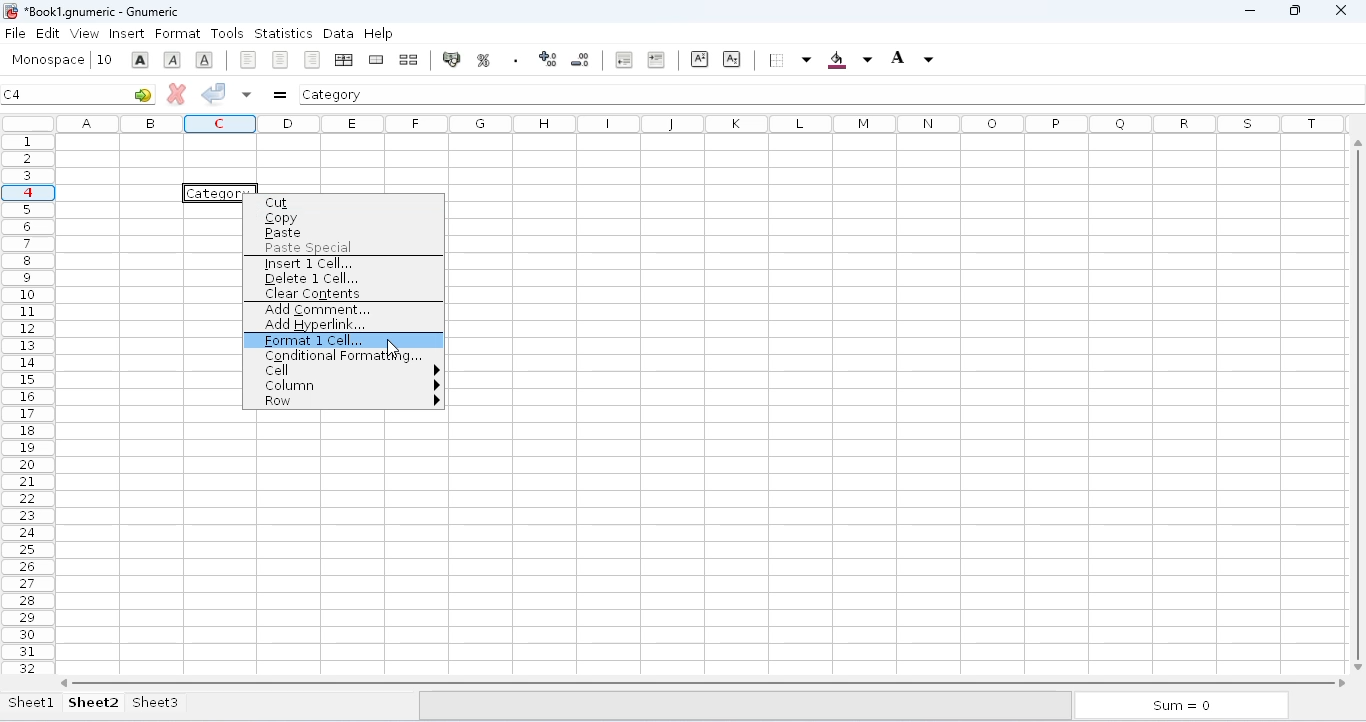 The image size is (1366, 722). What do you see at coordinates (344, 355) in the screenshot?
I see `conditional formatting` at bounding box center [344, 355].